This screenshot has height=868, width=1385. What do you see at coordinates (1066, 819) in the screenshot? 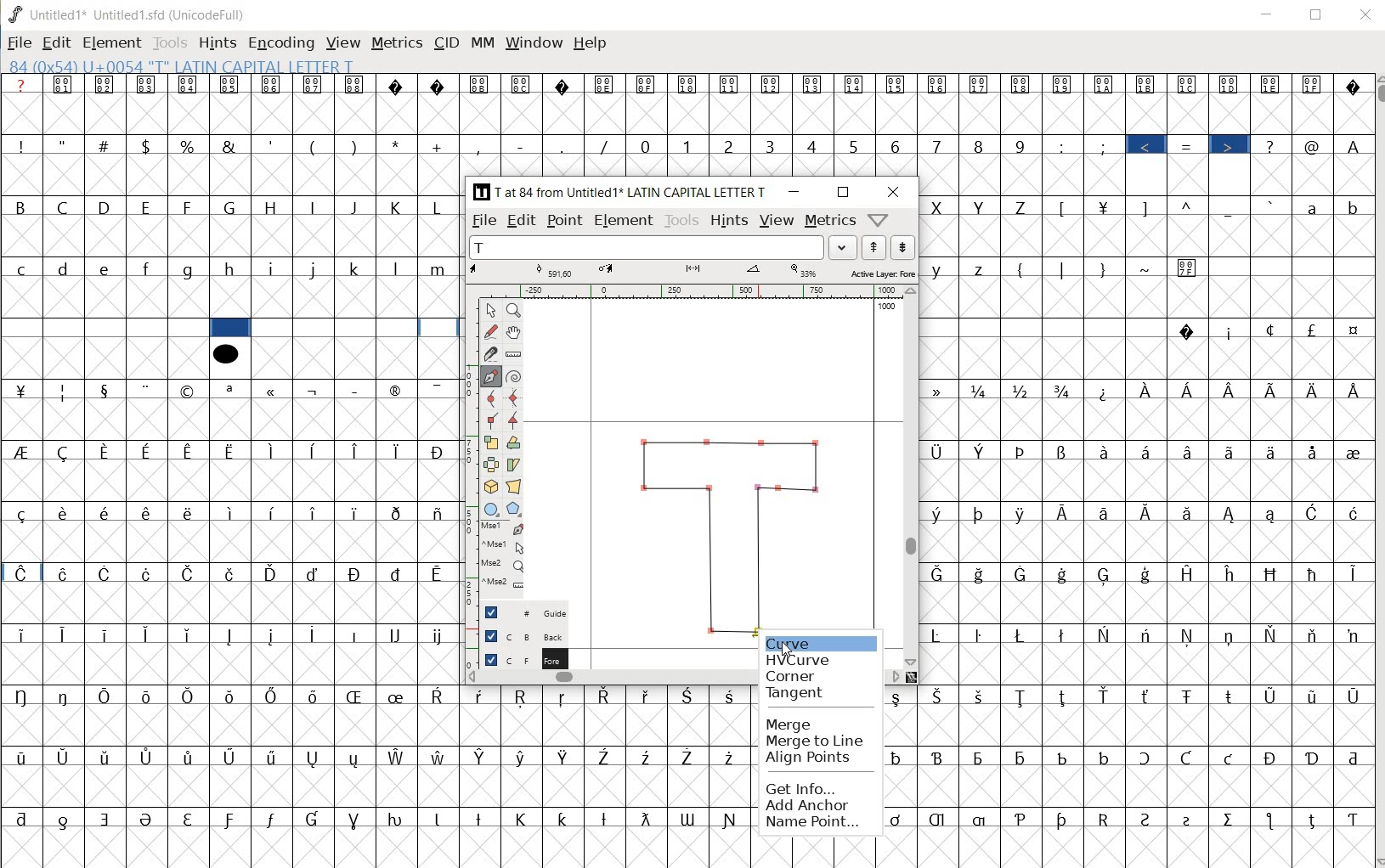
I see `Symbol` at bounding box center [1066, 819].